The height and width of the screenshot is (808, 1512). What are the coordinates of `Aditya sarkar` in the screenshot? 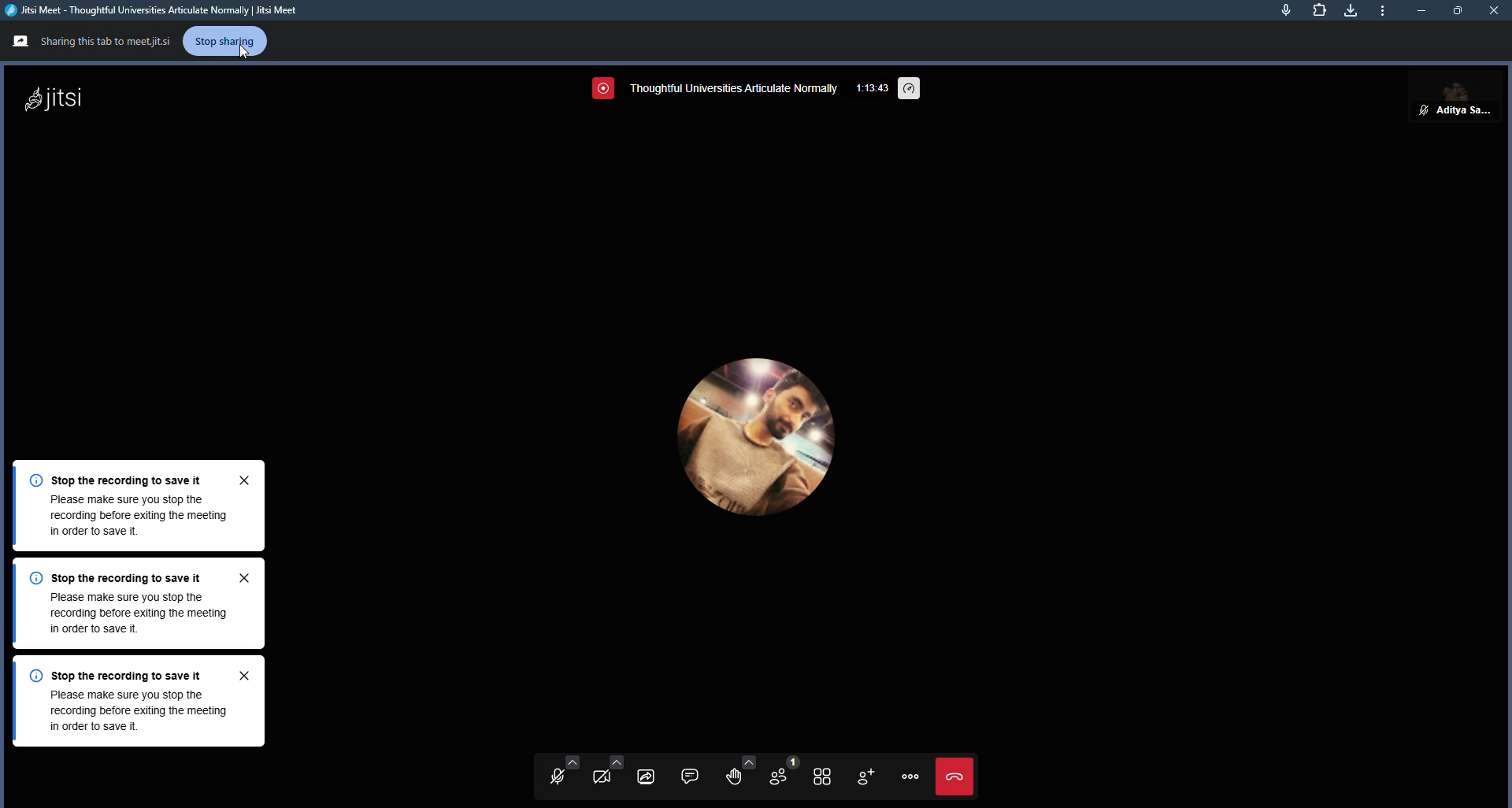 It's located at (1447, 96).